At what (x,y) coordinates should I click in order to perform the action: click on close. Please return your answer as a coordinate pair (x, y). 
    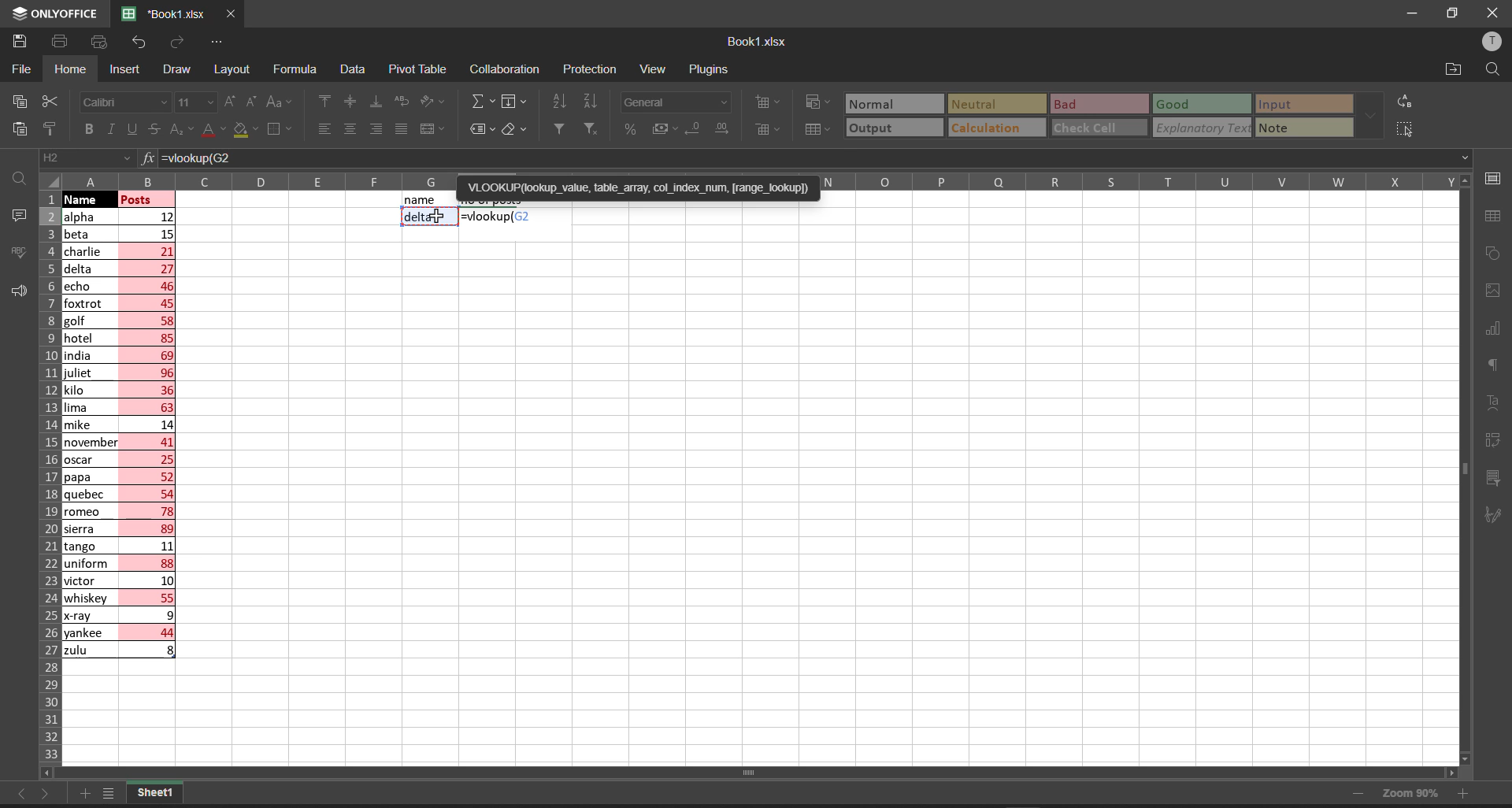
    Looking at the image, I should click on (1490, 13).